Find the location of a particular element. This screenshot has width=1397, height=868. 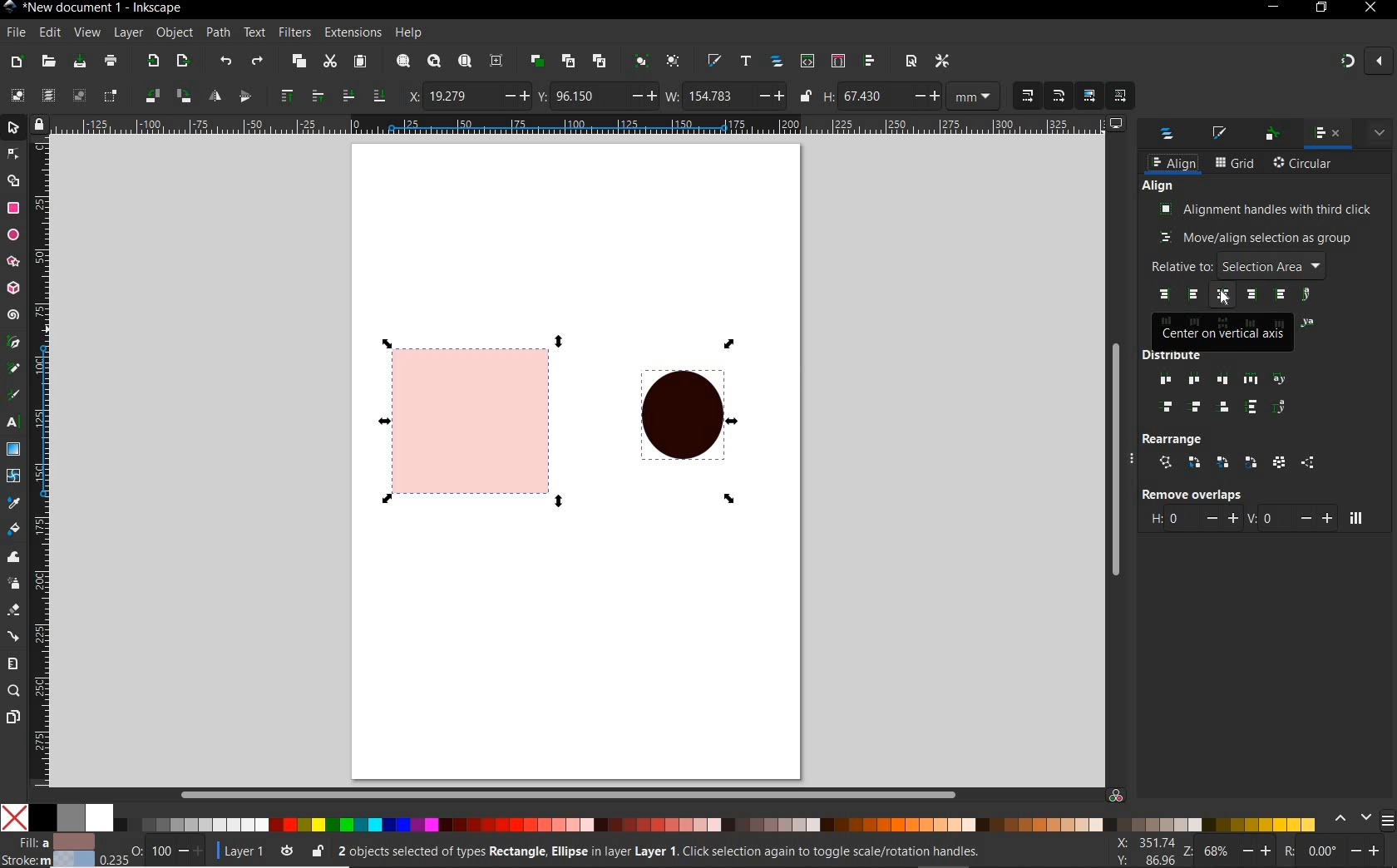

ruler is located at coordinates (587, 124).